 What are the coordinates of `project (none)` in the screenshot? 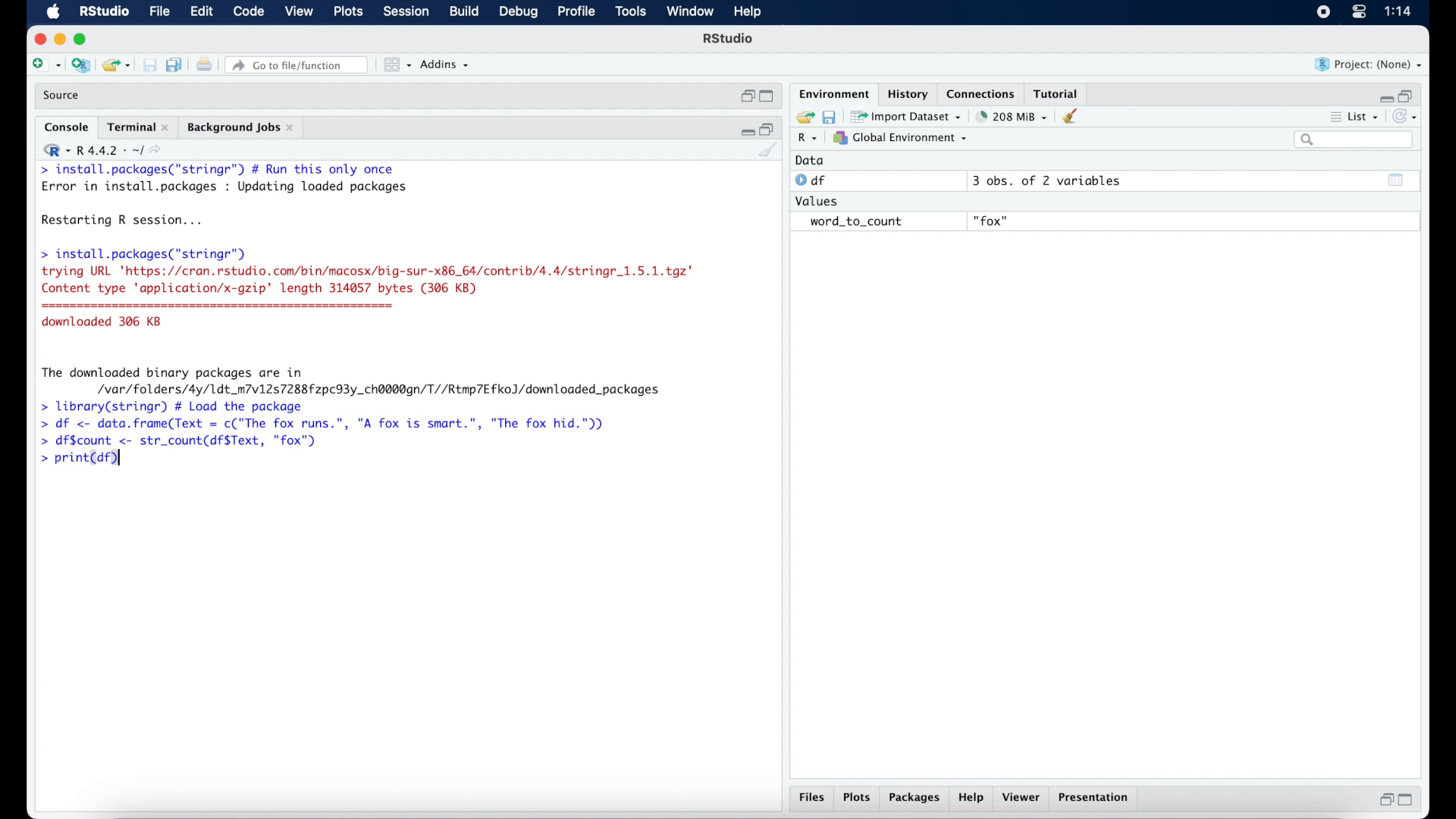 It's located at (1369, 64).